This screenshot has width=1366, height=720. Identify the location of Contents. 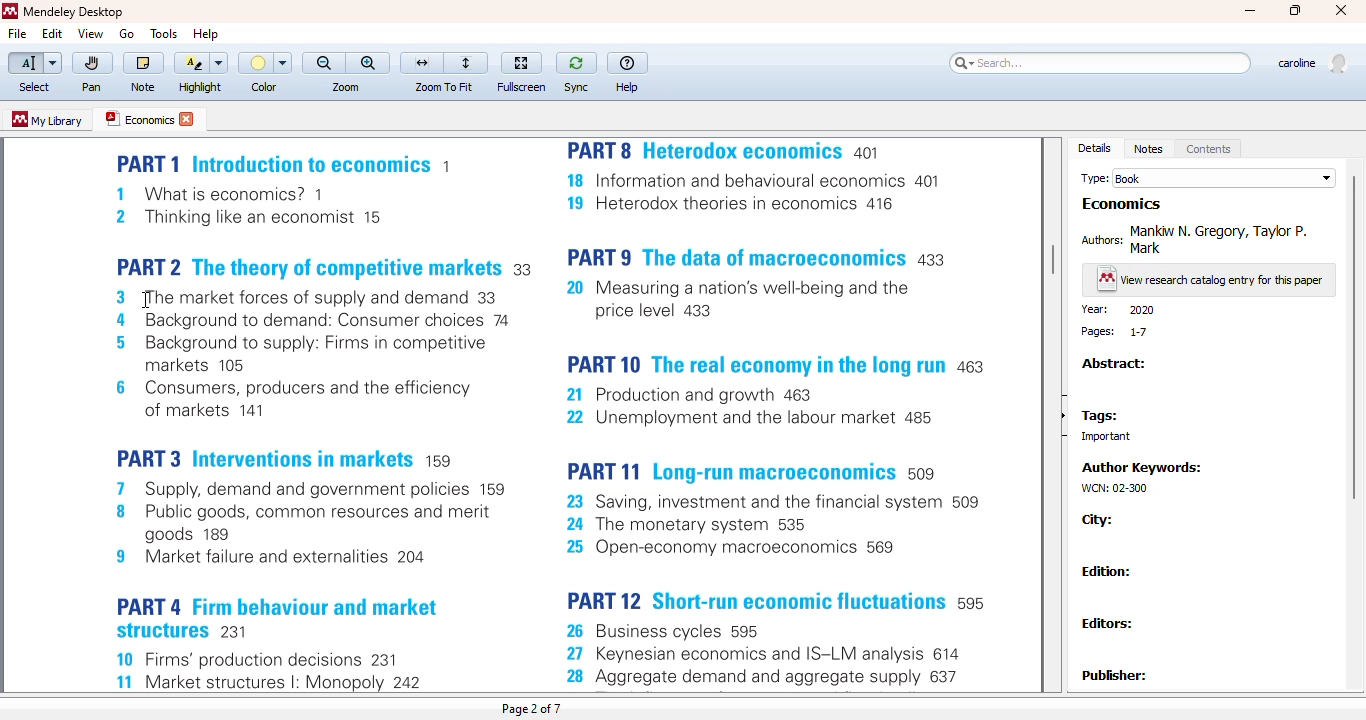
(1210, 147).